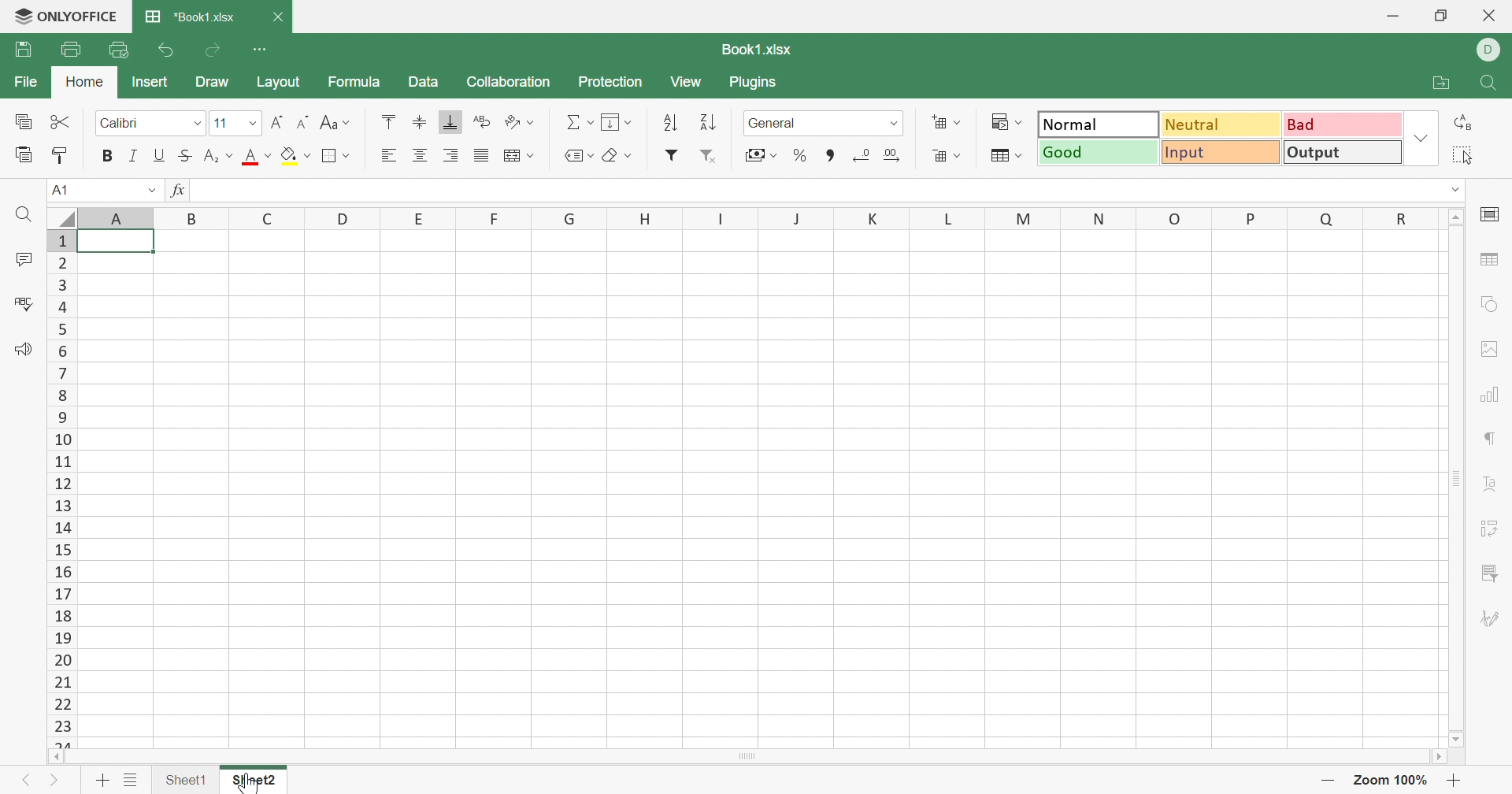  What do you see at coordinates (421, 81) in the screenshot?
I see `Data` at bounding box center [421, 81].